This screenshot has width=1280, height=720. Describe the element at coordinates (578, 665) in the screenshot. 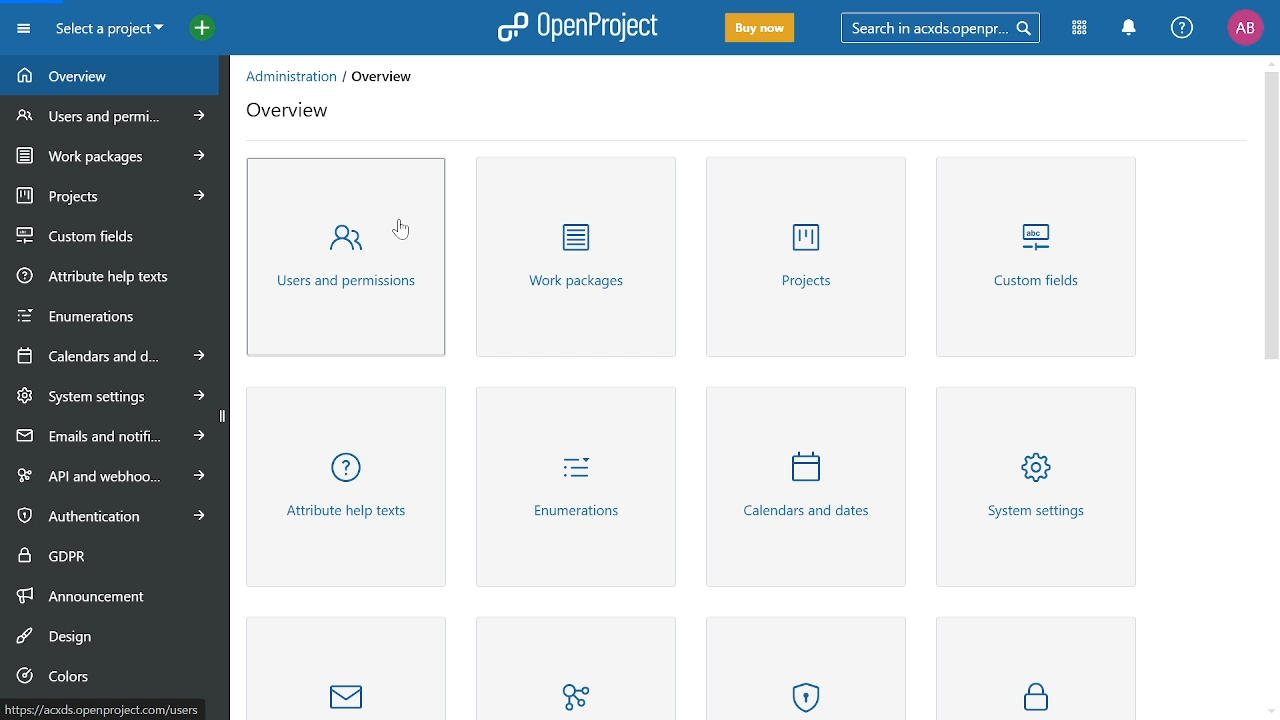

I see `API and webhooks` at that location.